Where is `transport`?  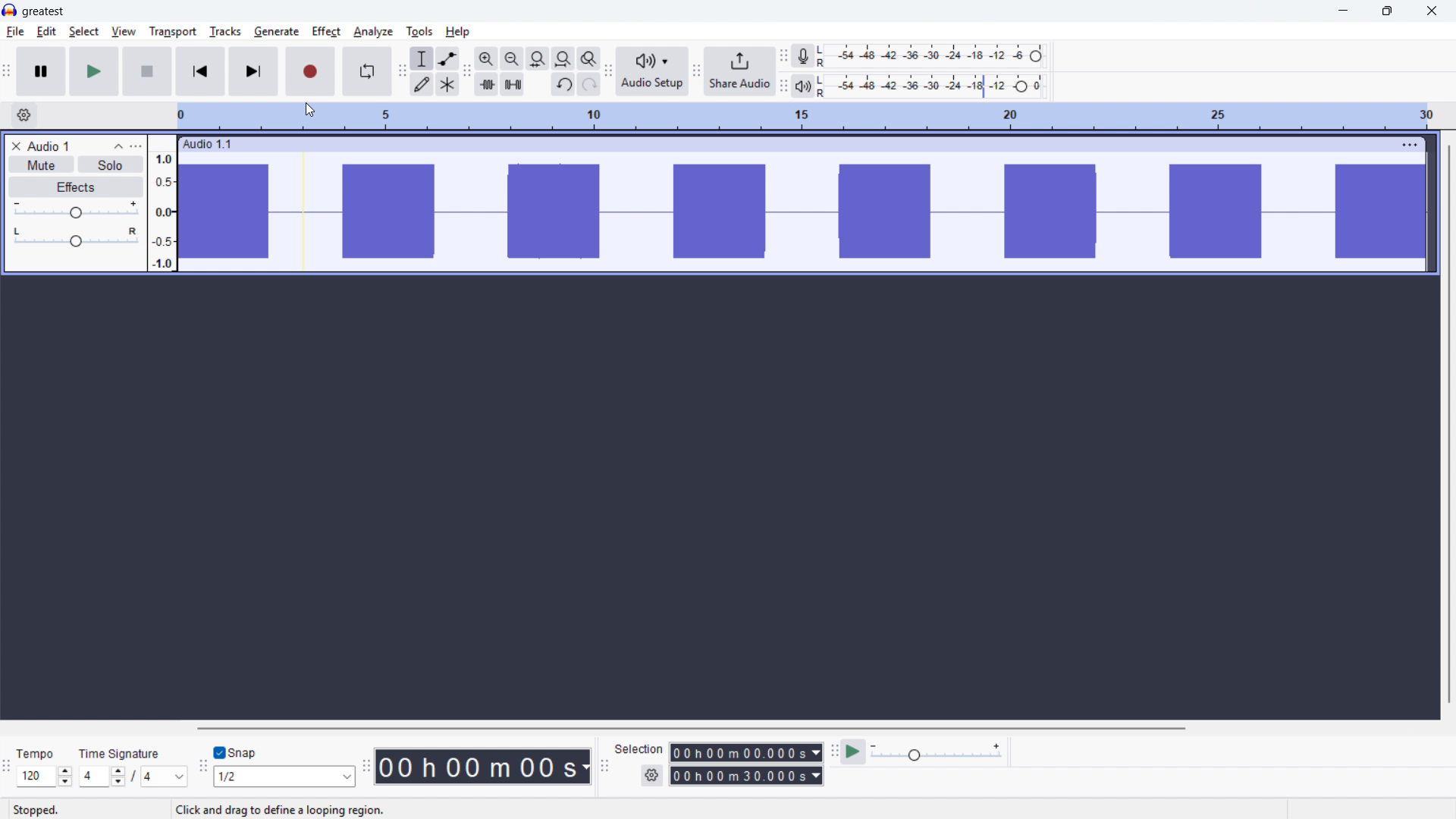 transport is located at coordinates (172, 31).